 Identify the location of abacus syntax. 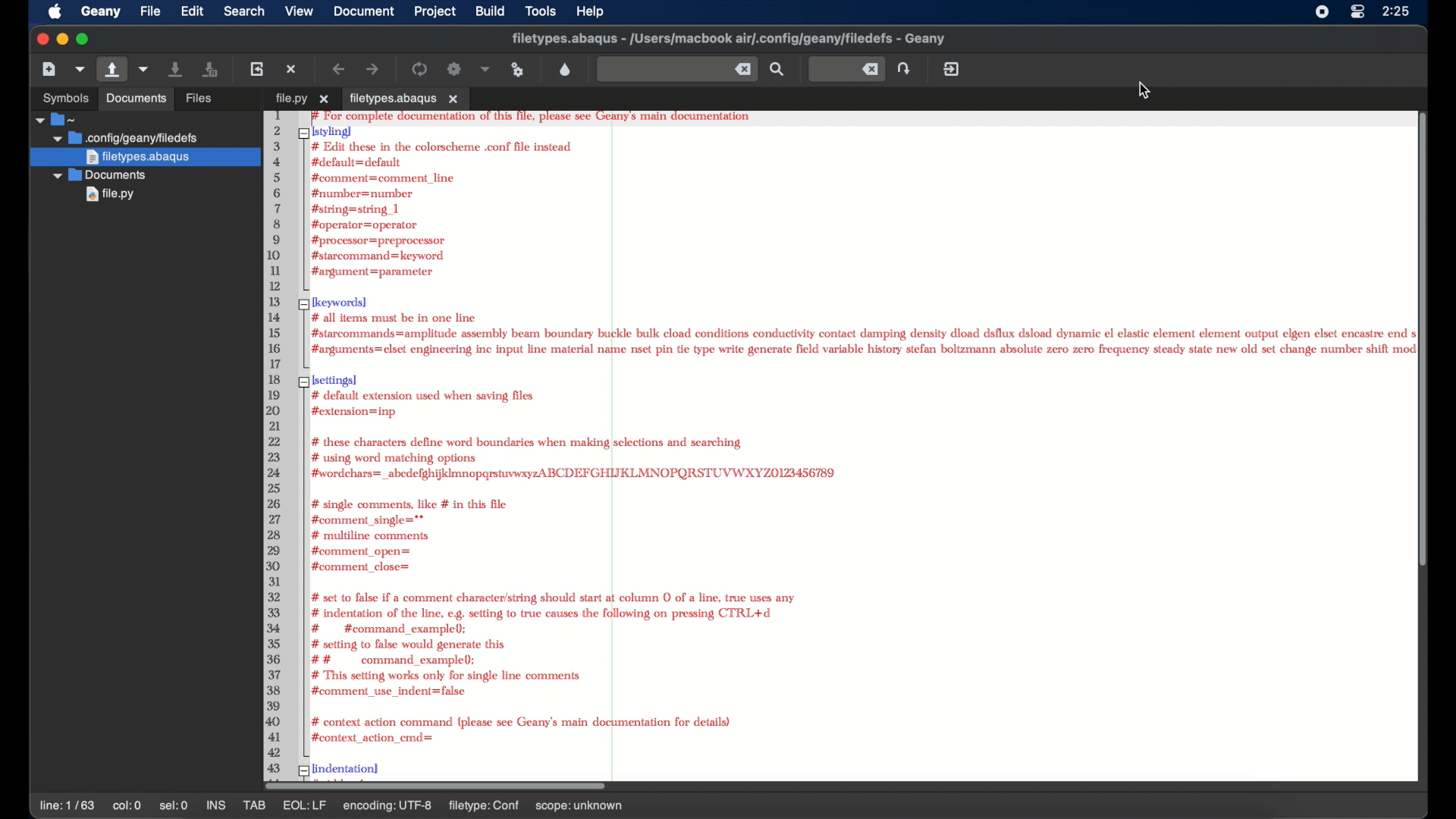
(845, 450).